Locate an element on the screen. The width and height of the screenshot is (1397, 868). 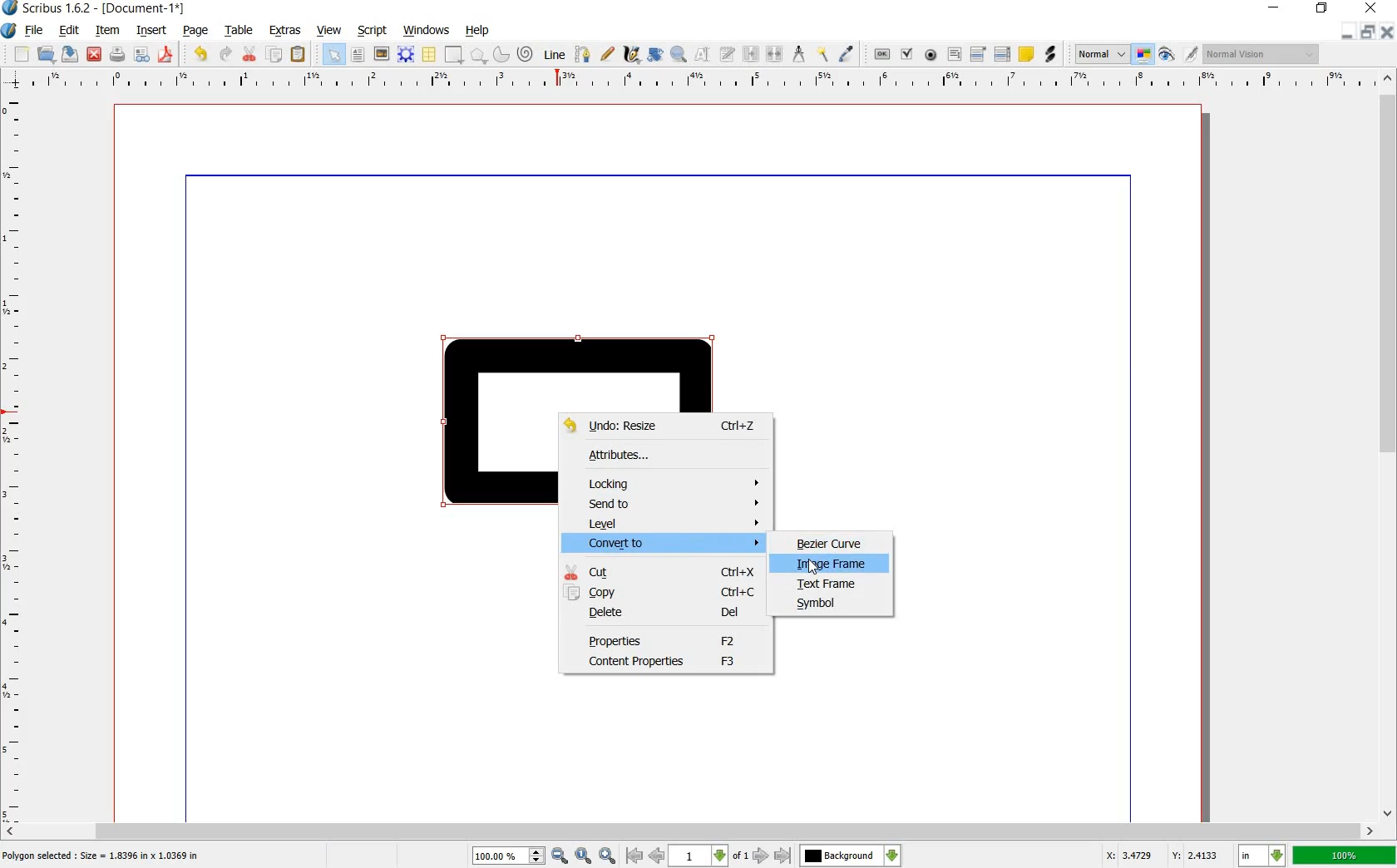
save is located at coordinates (70, 56).